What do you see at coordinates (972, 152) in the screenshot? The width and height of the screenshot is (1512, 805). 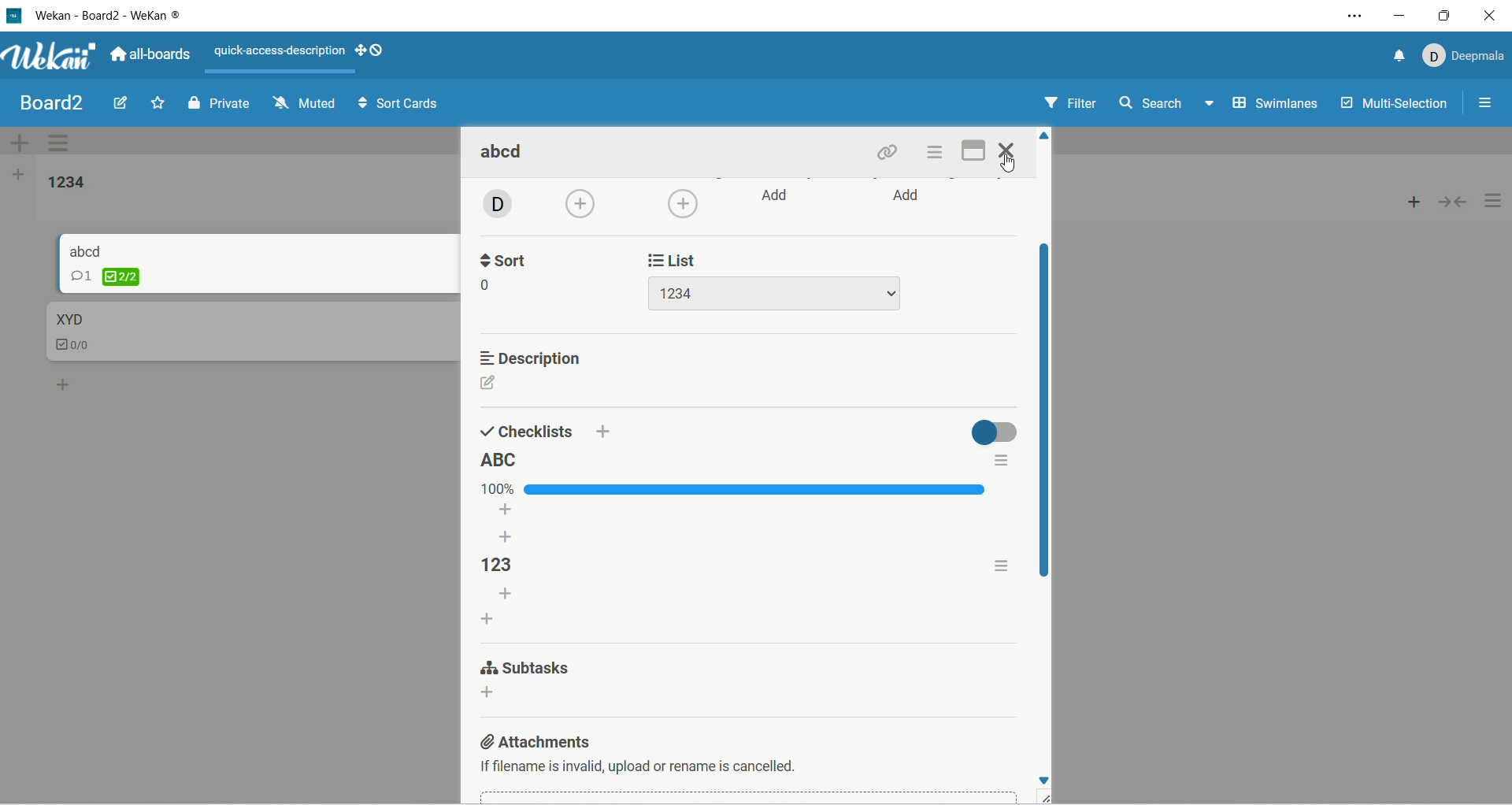 I see `maximize` at bounding box center [972, 152].